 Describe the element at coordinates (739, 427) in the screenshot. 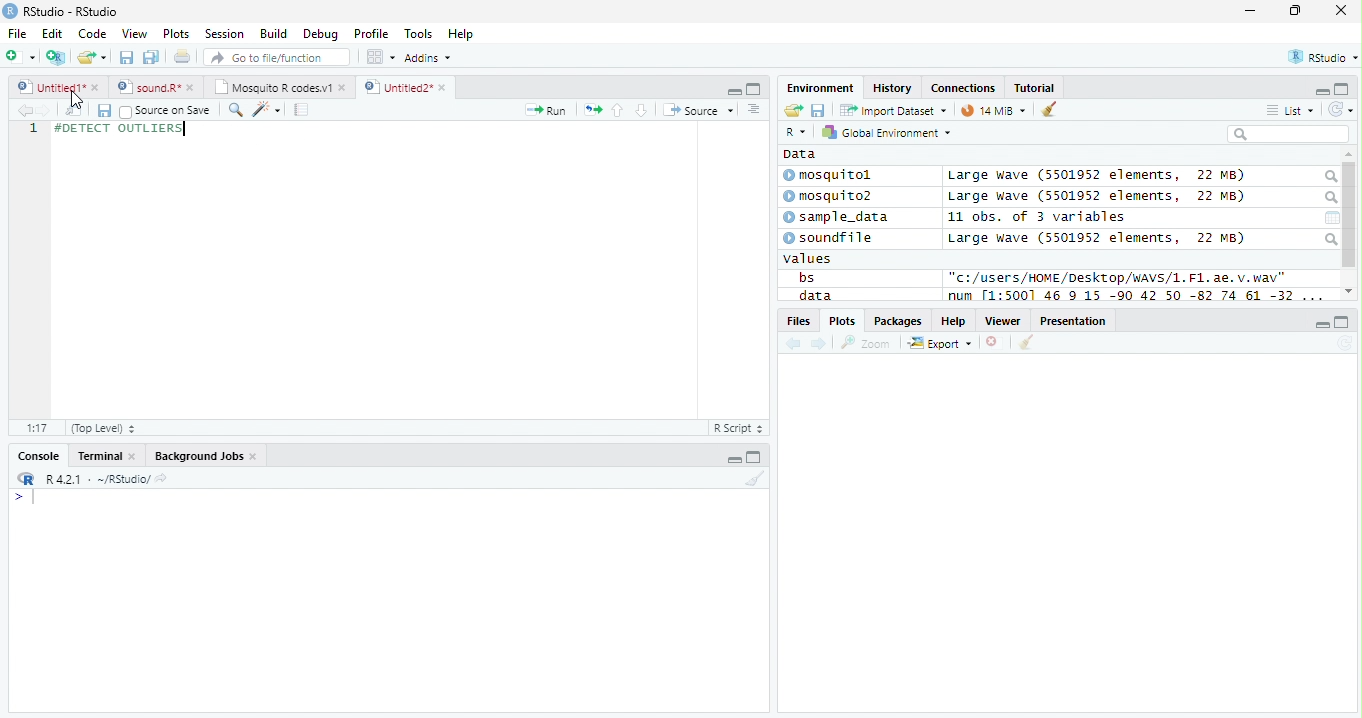

I see `R Script` at that location.